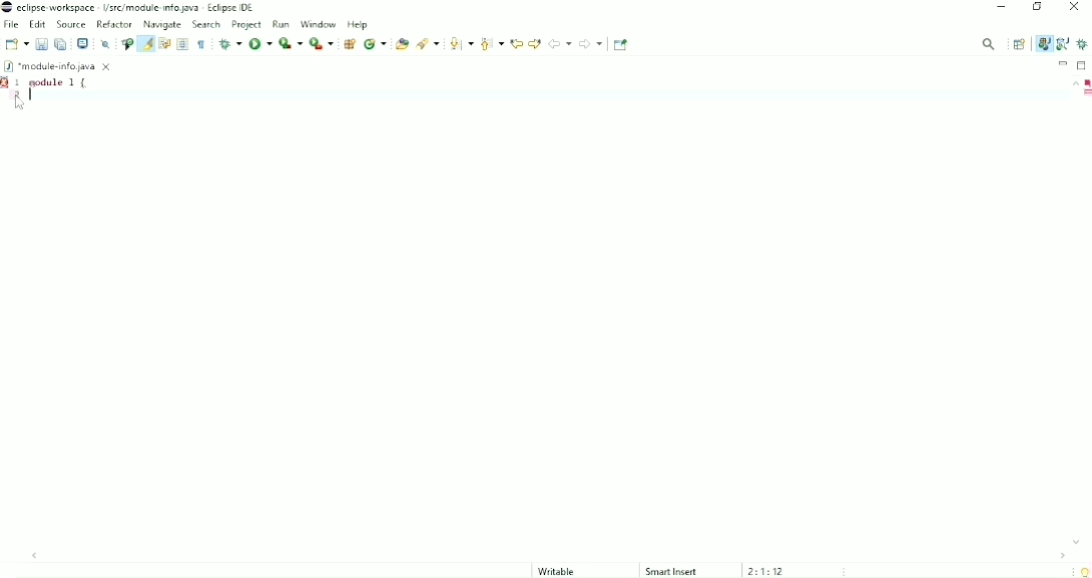  What do you see at coordinates (1003, 8) in the screenshot?
I see `Minimize` at bounding box center [1003, 8].